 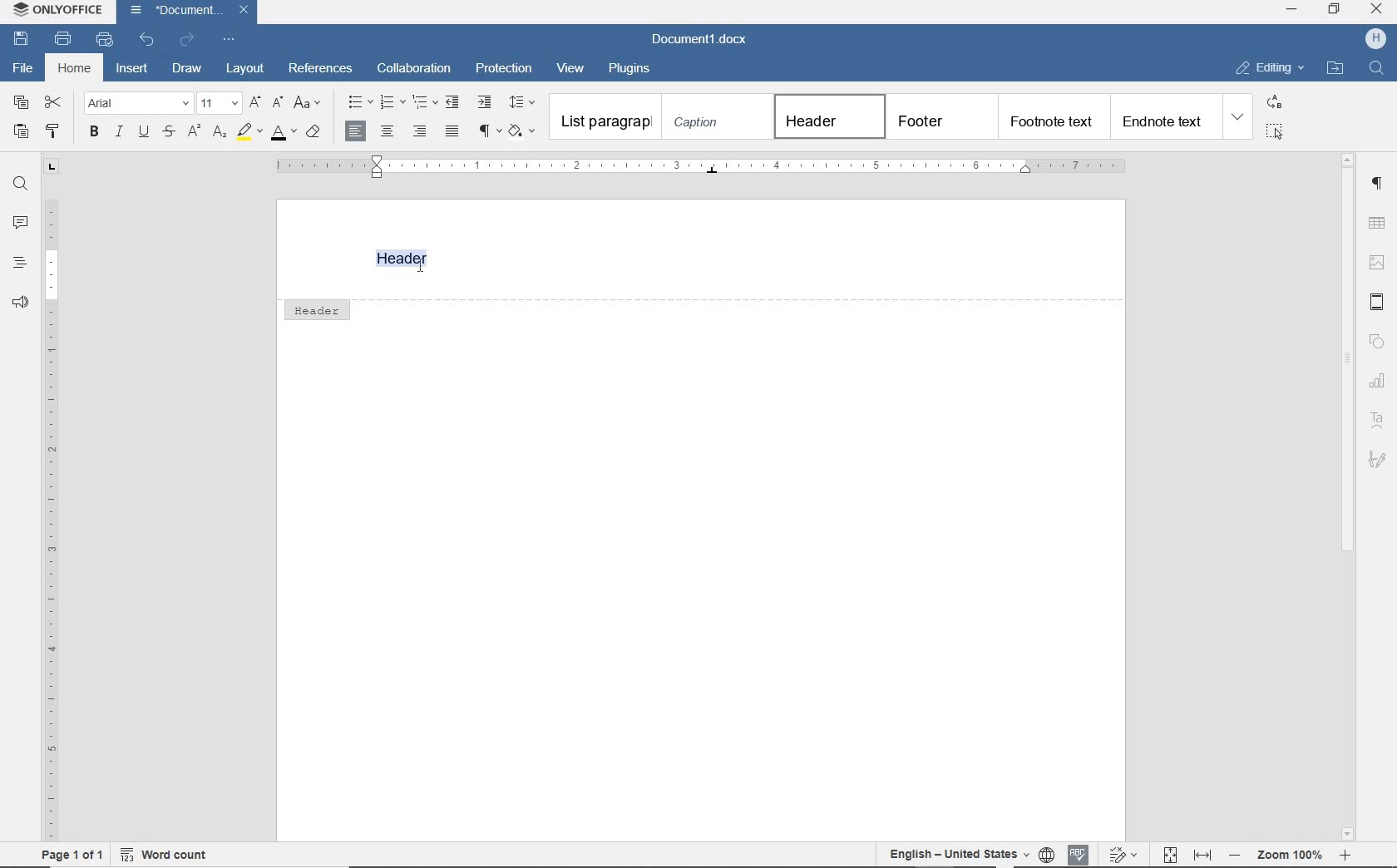 I want to click on file, so click(x=20, y=68).